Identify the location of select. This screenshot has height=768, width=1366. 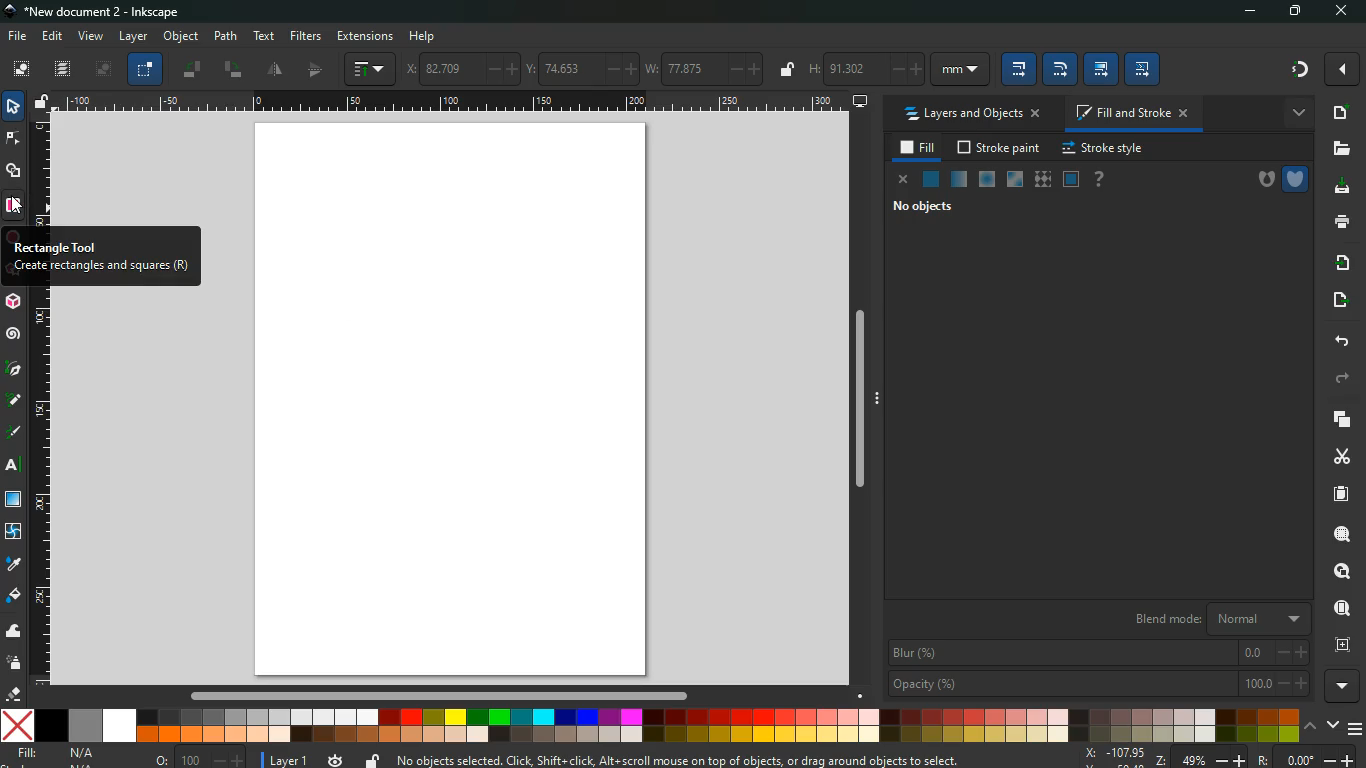
(144, 70).